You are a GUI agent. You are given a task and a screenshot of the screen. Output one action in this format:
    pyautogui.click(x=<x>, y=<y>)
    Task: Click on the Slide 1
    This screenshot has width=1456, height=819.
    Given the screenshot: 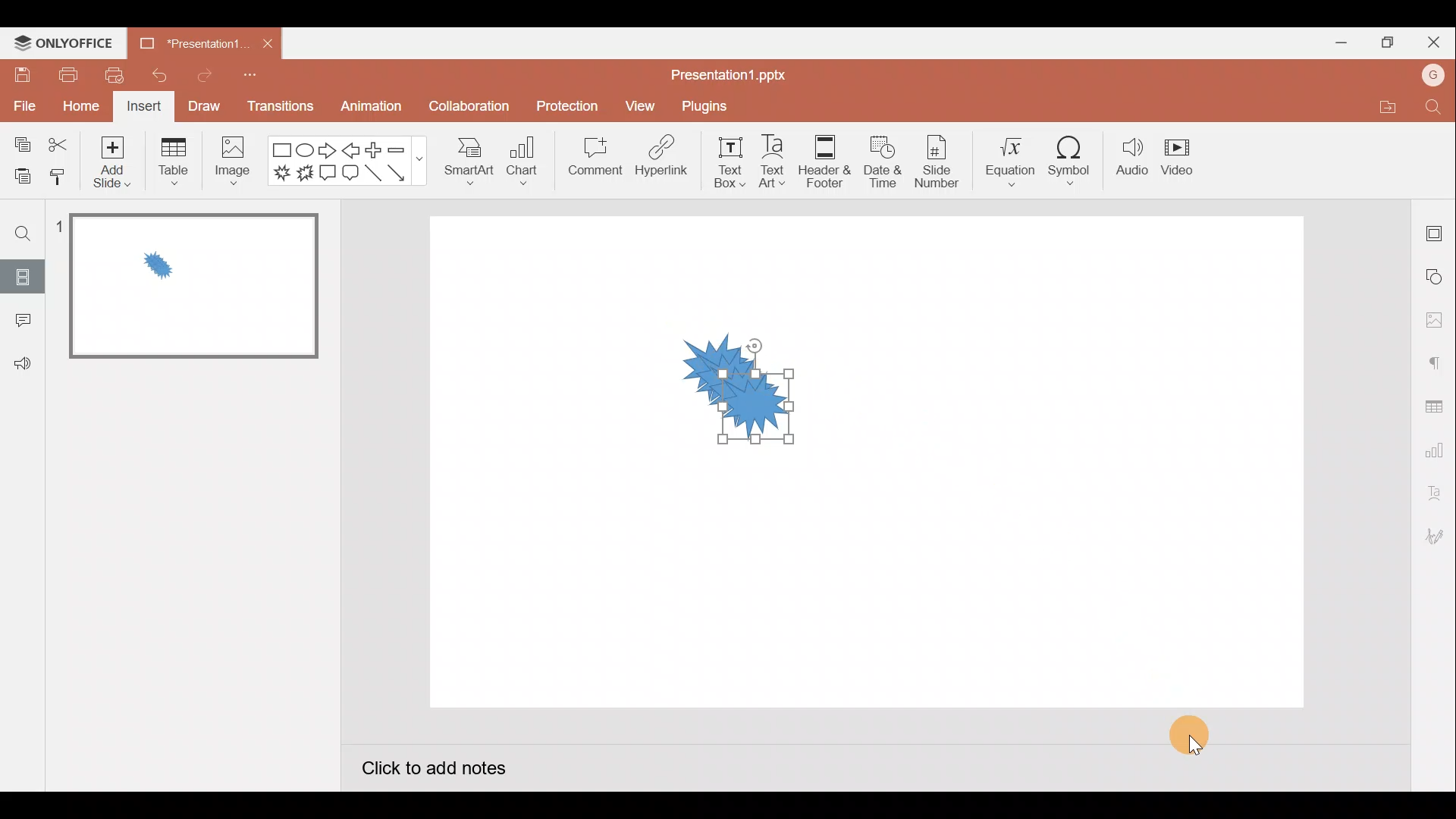 What is the action you would take?
    pyautogui.click(x=184, y=287)
    